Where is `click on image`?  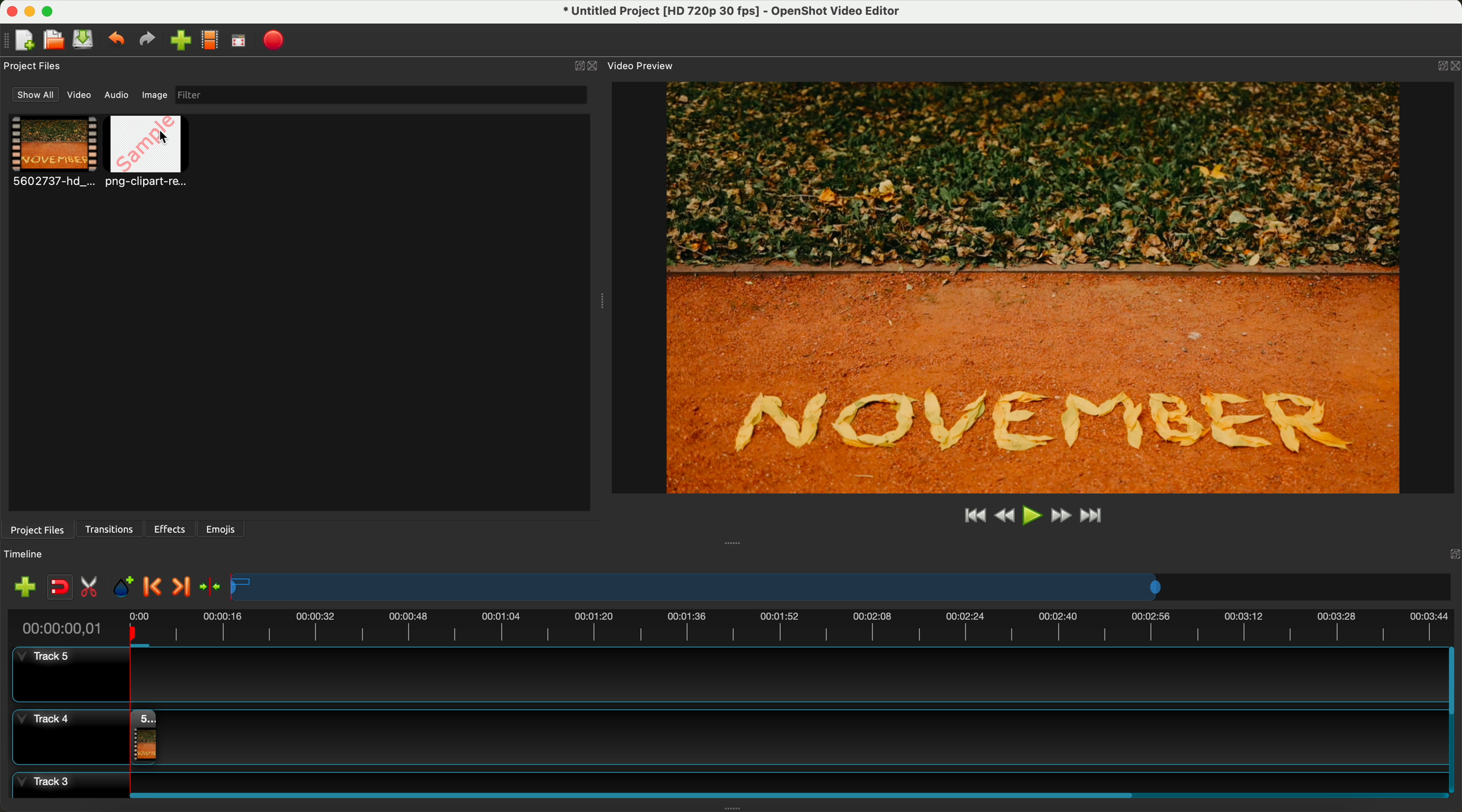 click on image is located at coordinates (150, 153).